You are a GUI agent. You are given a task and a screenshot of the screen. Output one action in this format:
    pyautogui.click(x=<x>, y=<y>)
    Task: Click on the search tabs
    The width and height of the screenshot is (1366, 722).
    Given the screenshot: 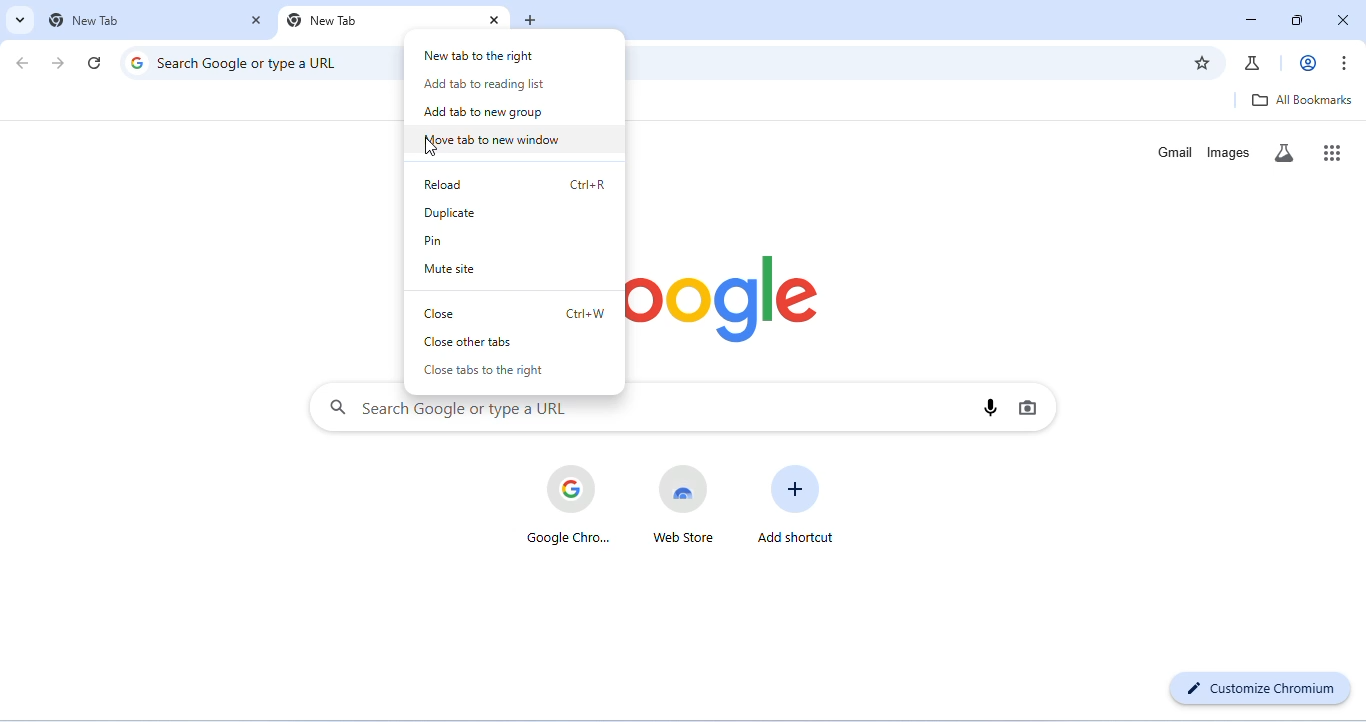 What is the action you would take?
    pyautogui.click(x=20, y=19)
    